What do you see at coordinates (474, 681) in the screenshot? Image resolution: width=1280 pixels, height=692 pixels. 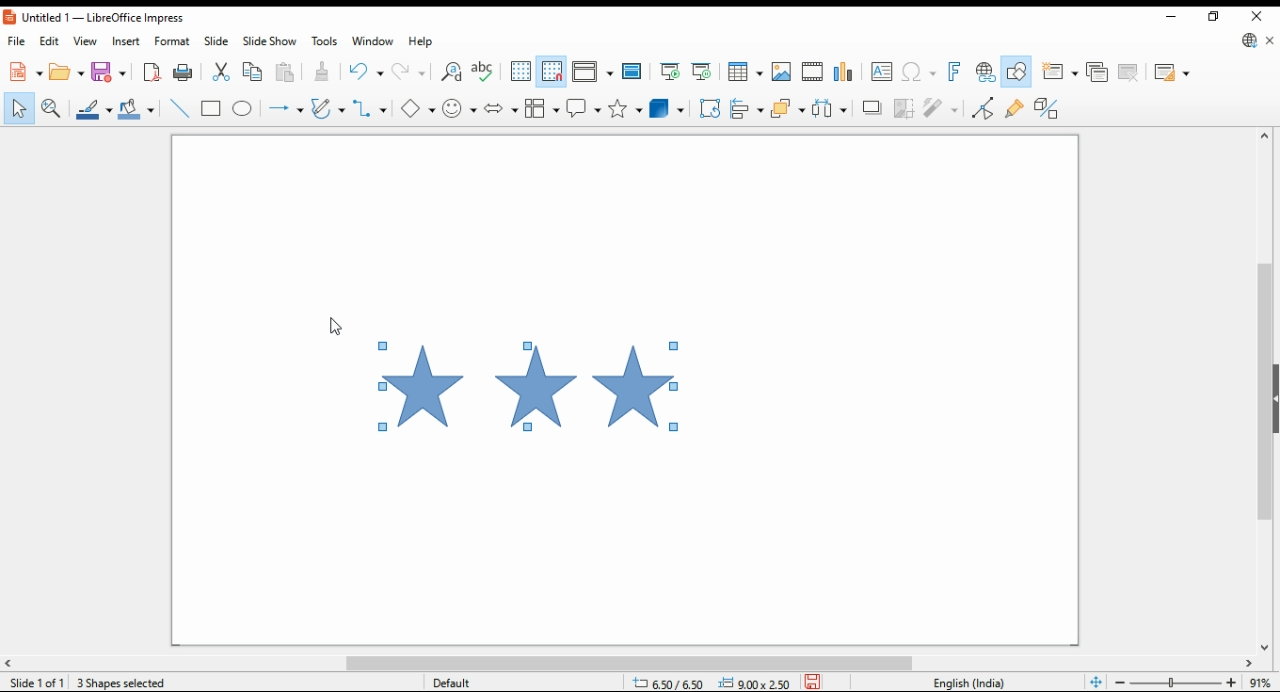 I see `default` at bounding box center [474, 681].